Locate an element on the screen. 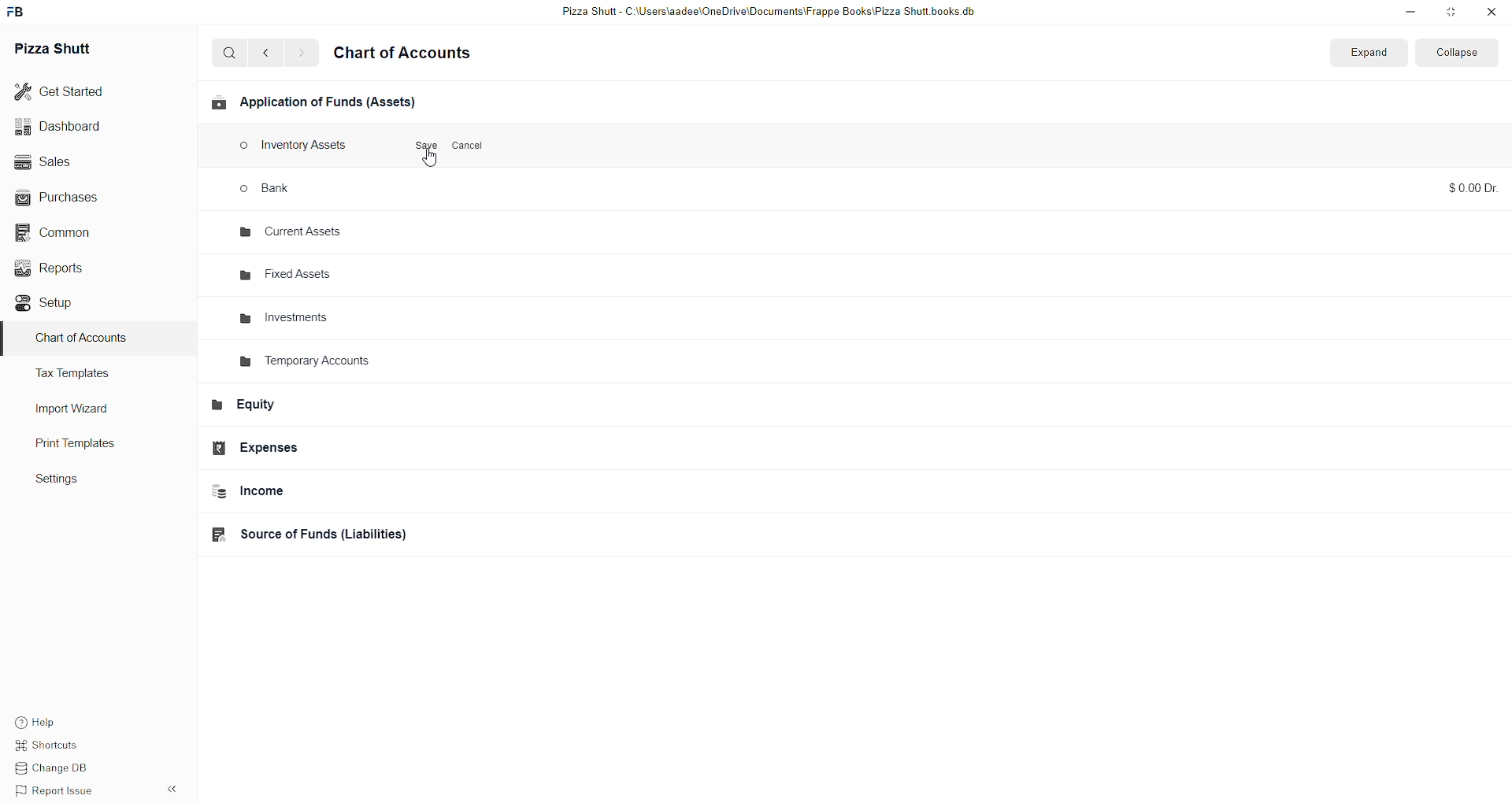 The image size is (1512, 803). Frappe Book Logo is located at coordinates (23, 12).